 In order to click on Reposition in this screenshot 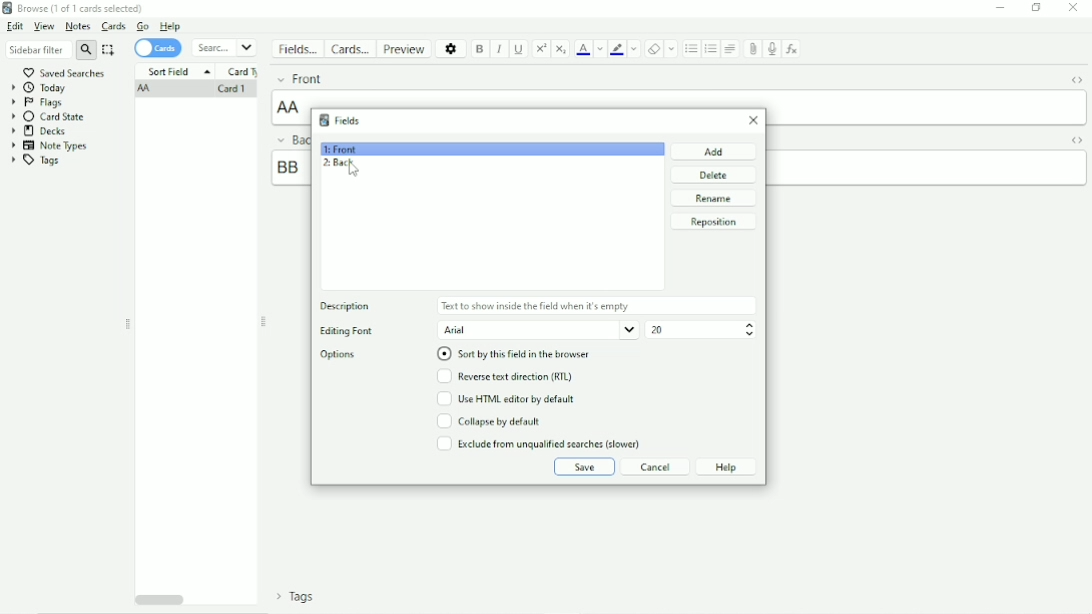, I will do `click(713, 222)`.